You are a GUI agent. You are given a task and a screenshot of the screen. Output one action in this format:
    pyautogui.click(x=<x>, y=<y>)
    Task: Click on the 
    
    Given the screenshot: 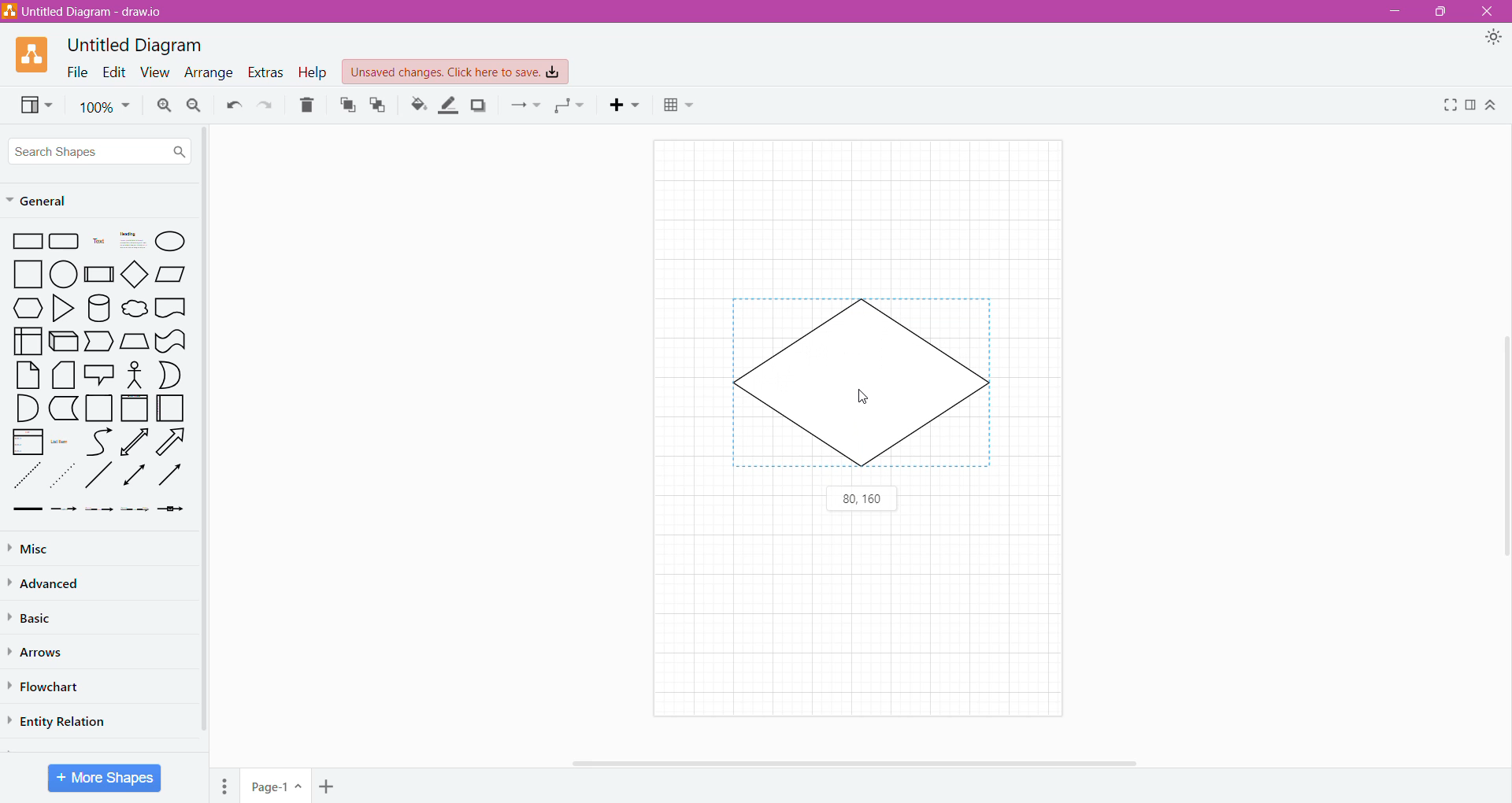 What is the action you would take?
    pyautogui.click(x=276, y=786)
    